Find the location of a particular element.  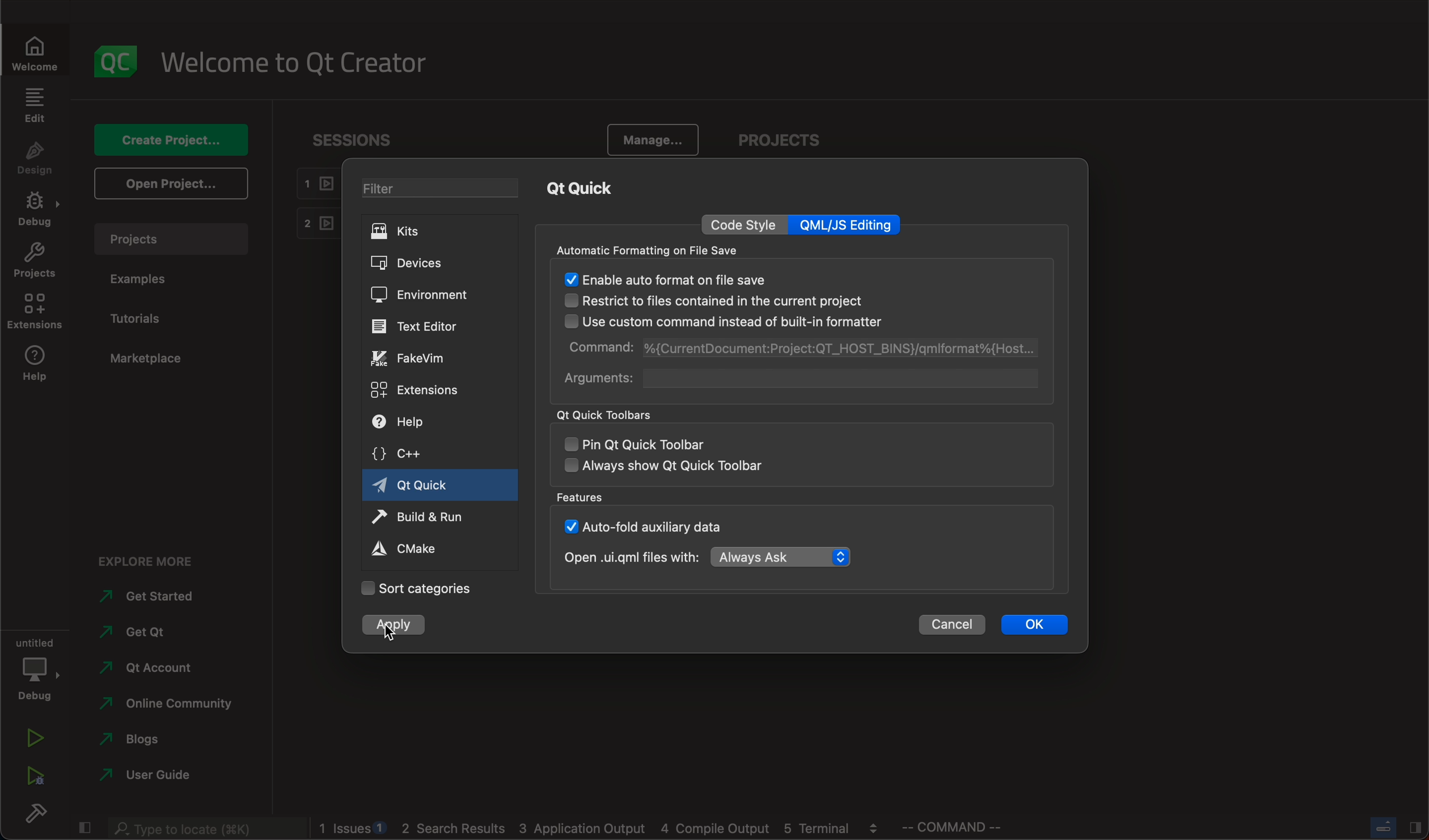

cursor is located at coordinates (387, 631).